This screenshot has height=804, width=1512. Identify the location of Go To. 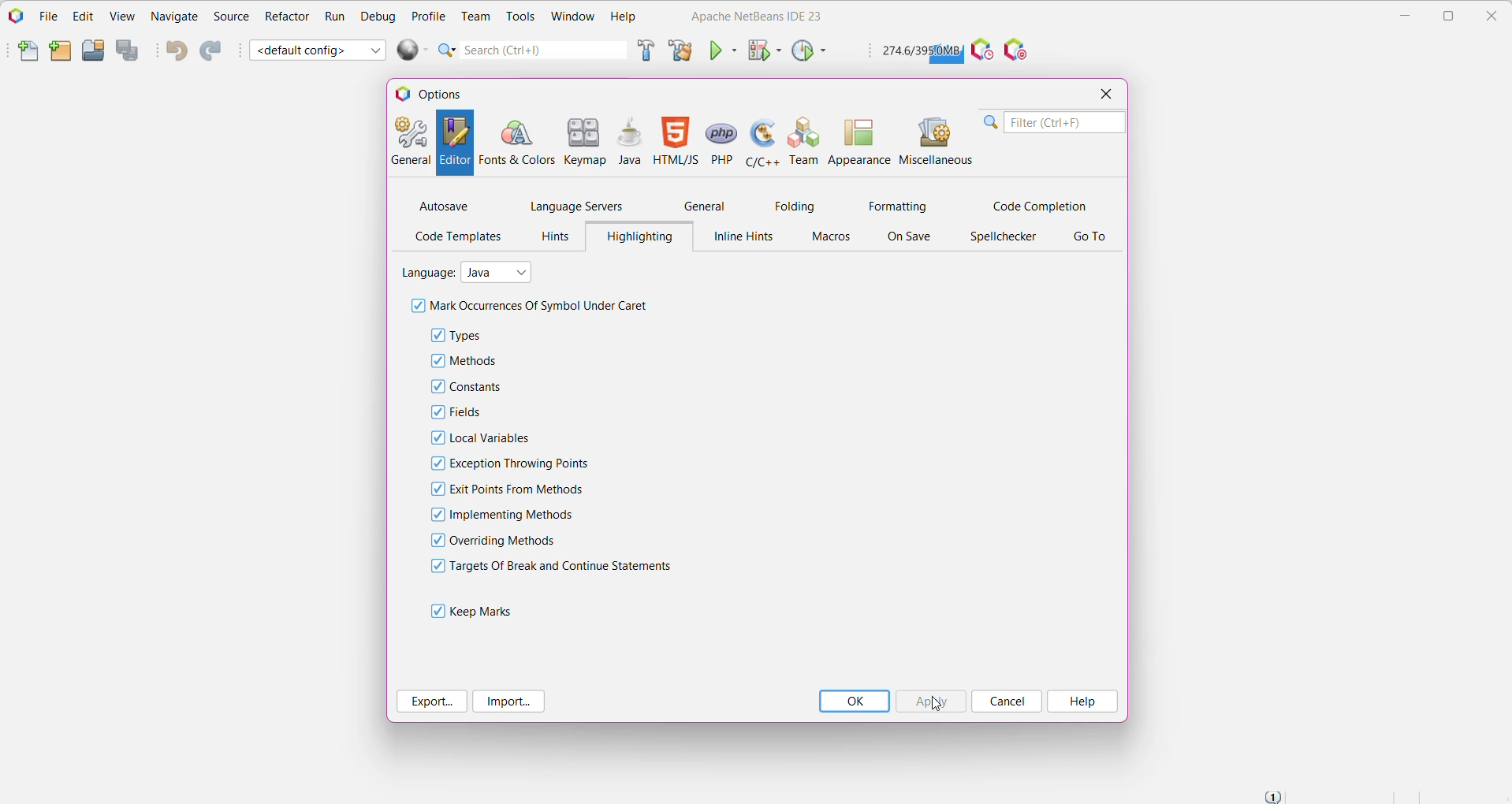
(1089, 238).